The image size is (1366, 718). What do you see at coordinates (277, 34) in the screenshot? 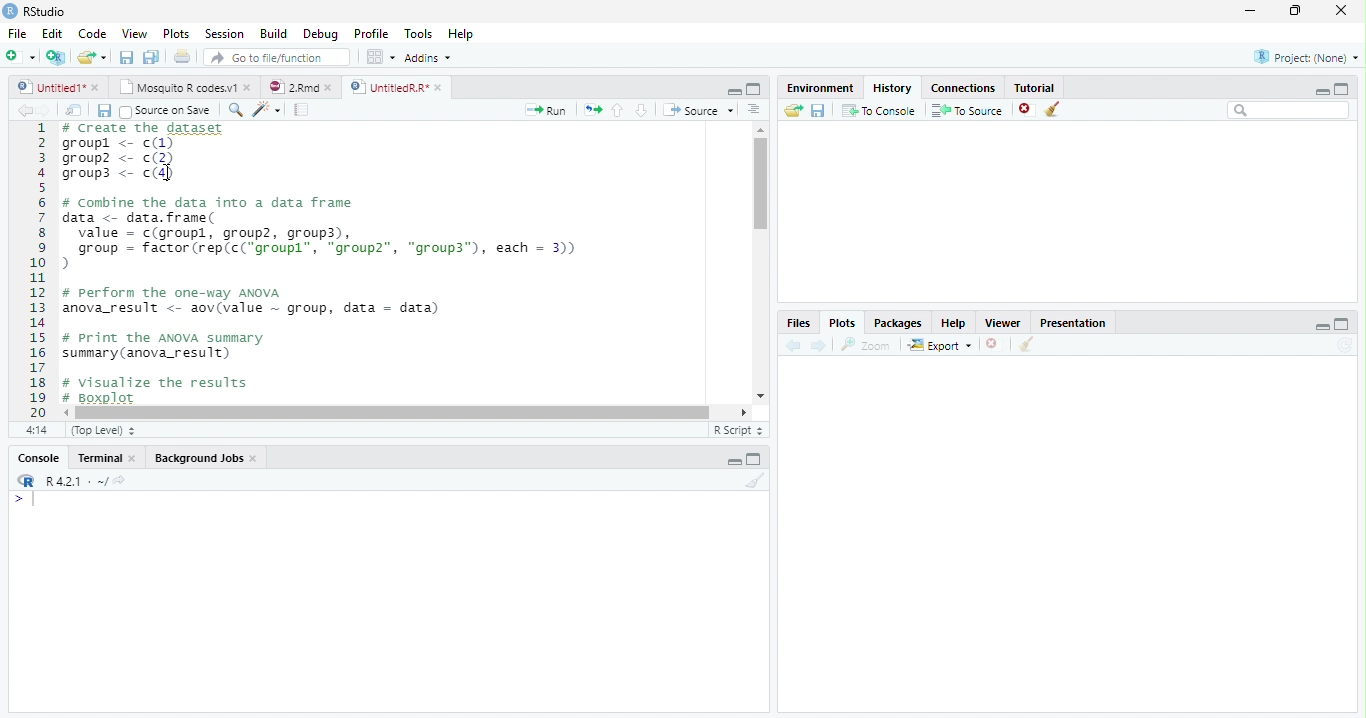
I see `Build` at bounding box center [277, 34].